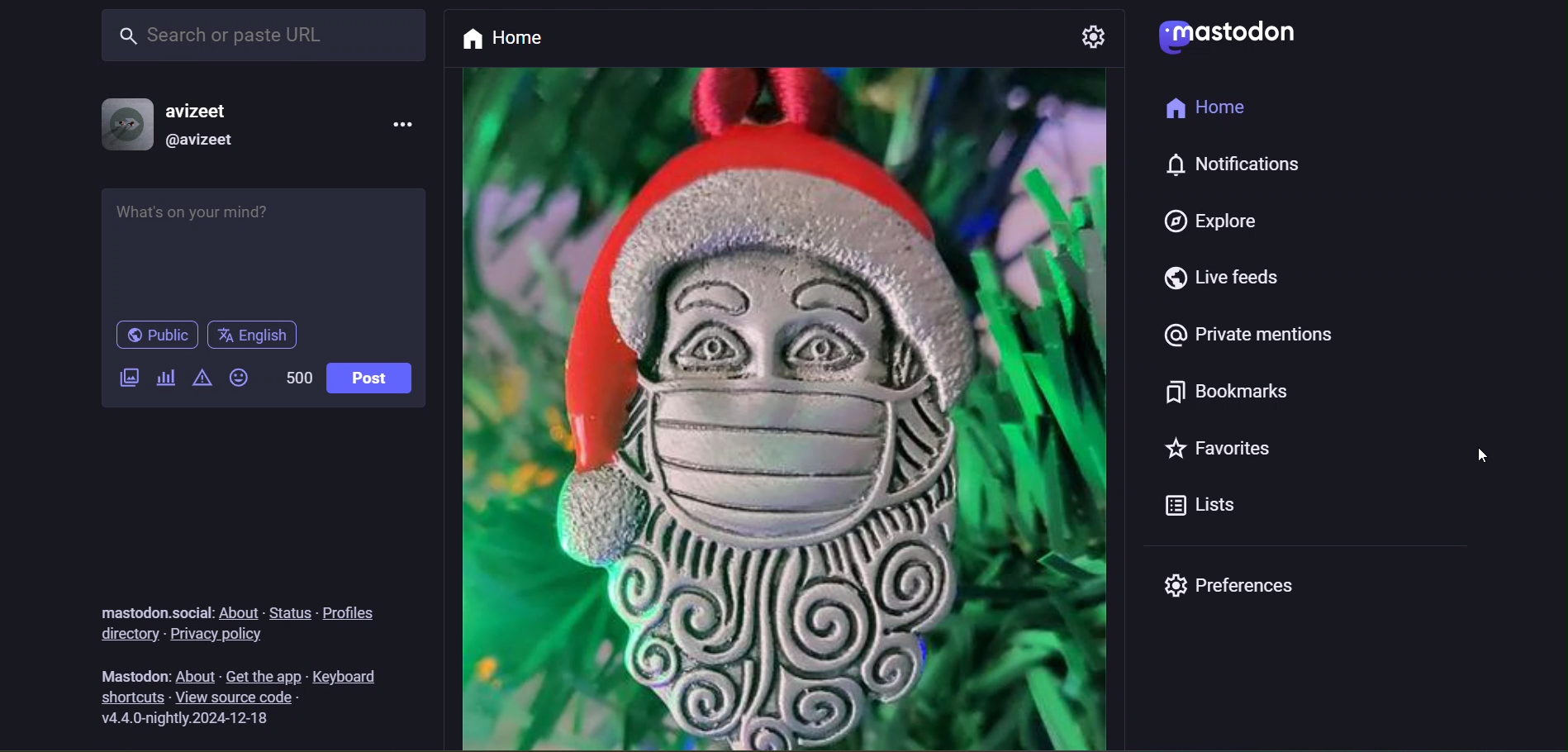 The image size is (1568, 752). What do you see at coordinates (404, 122) in the screenshot?
I see `more` at bounding box center [404, 122].